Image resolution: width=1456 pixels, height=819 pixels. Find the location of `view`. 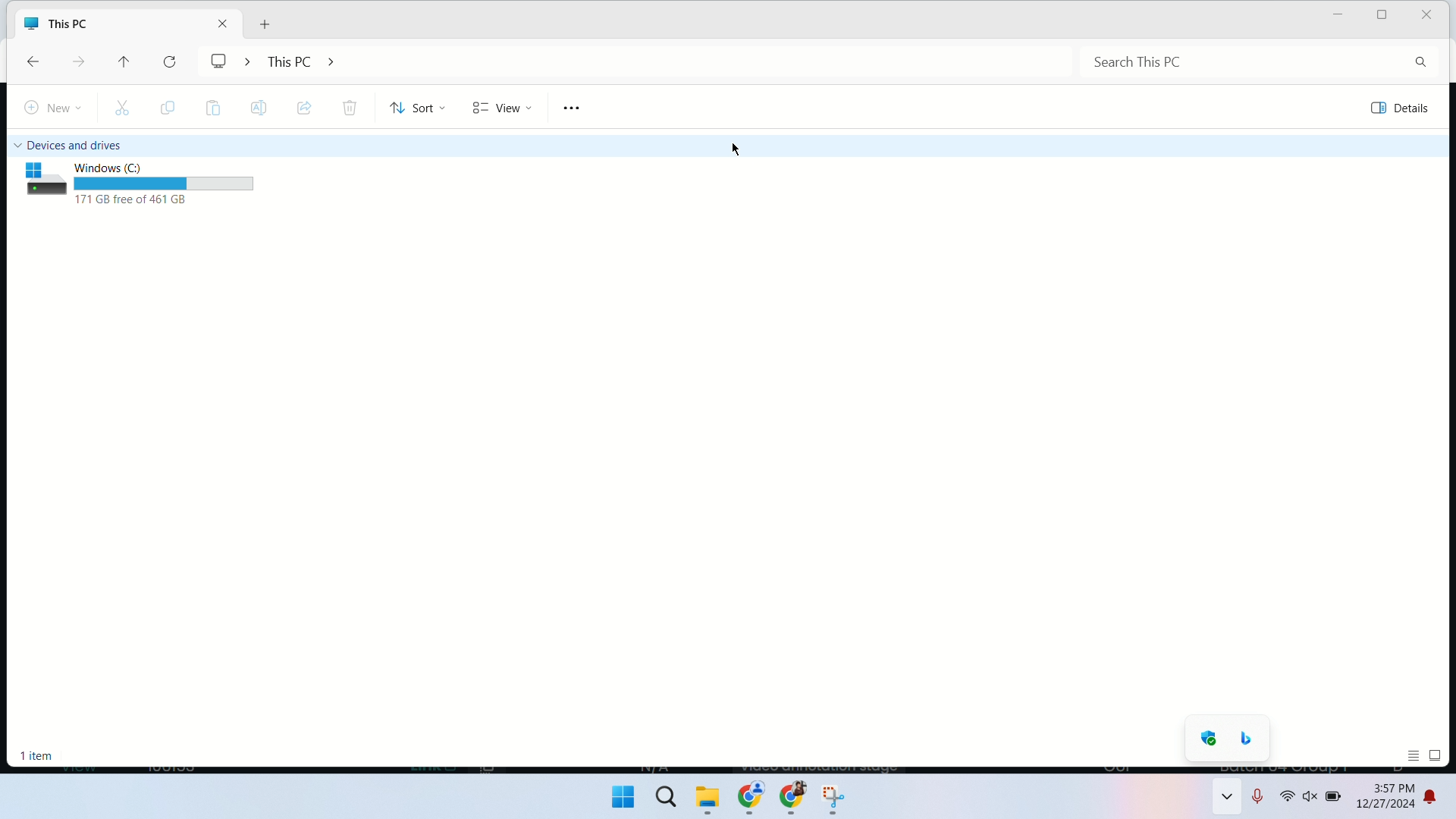

view is located at coordinates (1404, 106).